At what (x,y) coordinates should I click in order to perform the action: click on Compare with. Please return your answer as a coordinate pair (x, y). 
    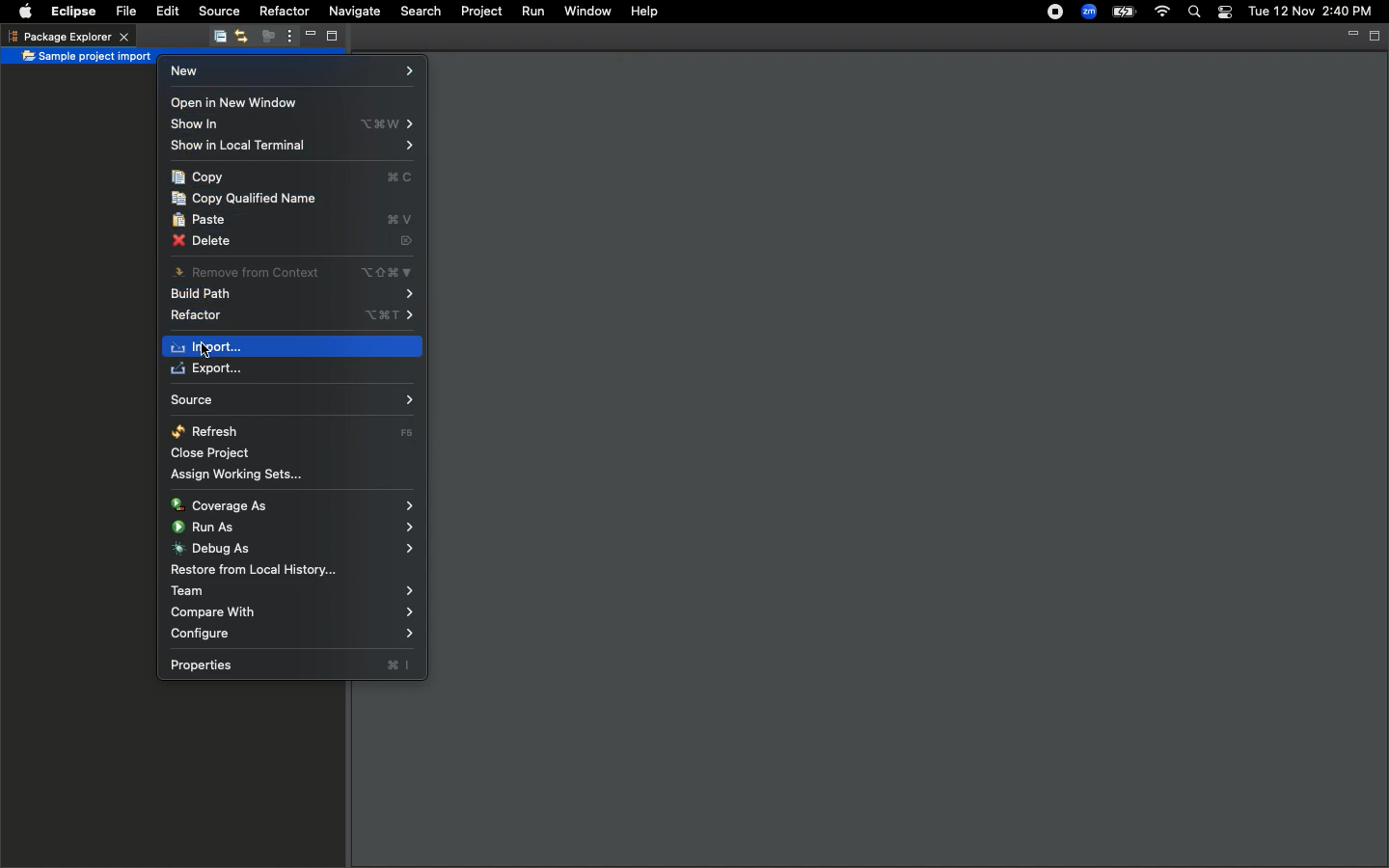
    Looking at the image, I should click on (295, 613).